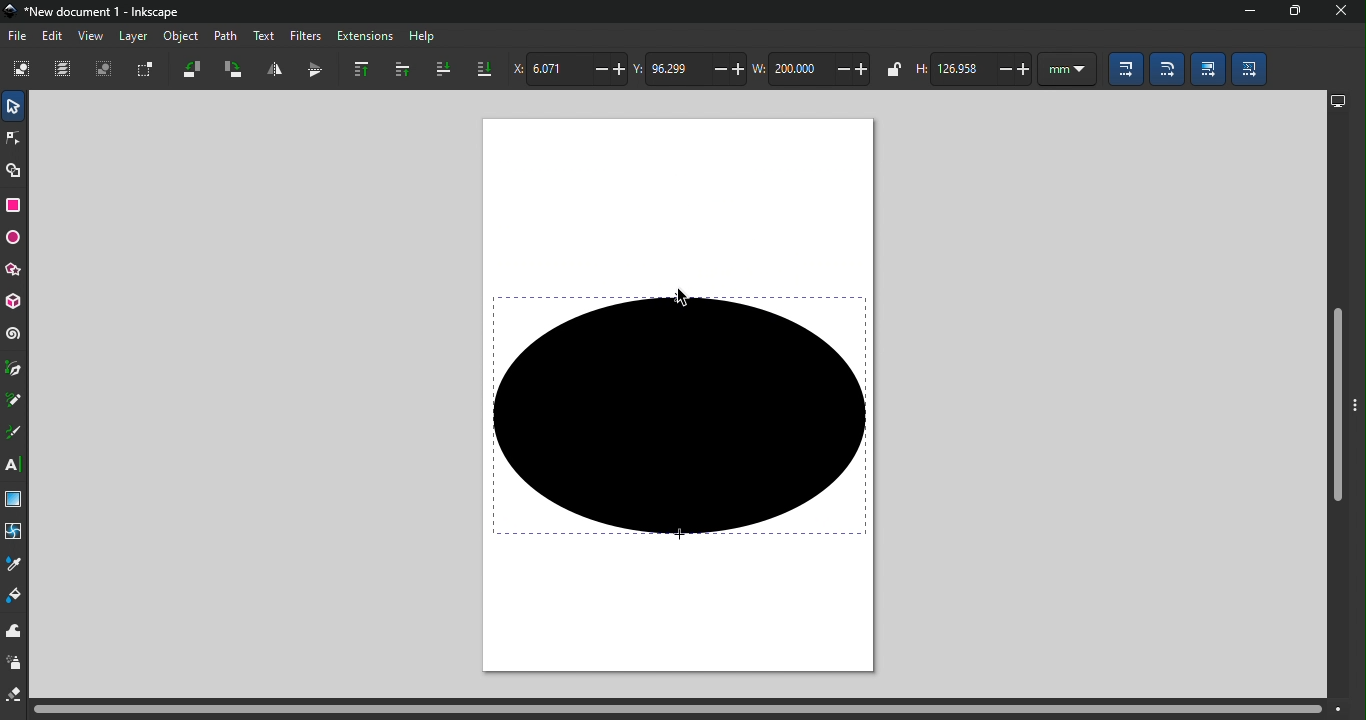 Image resolution: width=1366 pixels, height=720 pixels. What do you see at coordinates (571, 70) in the screenshot?
I see `Horizontal coordinate of selection` at bounding box center [571, 70].